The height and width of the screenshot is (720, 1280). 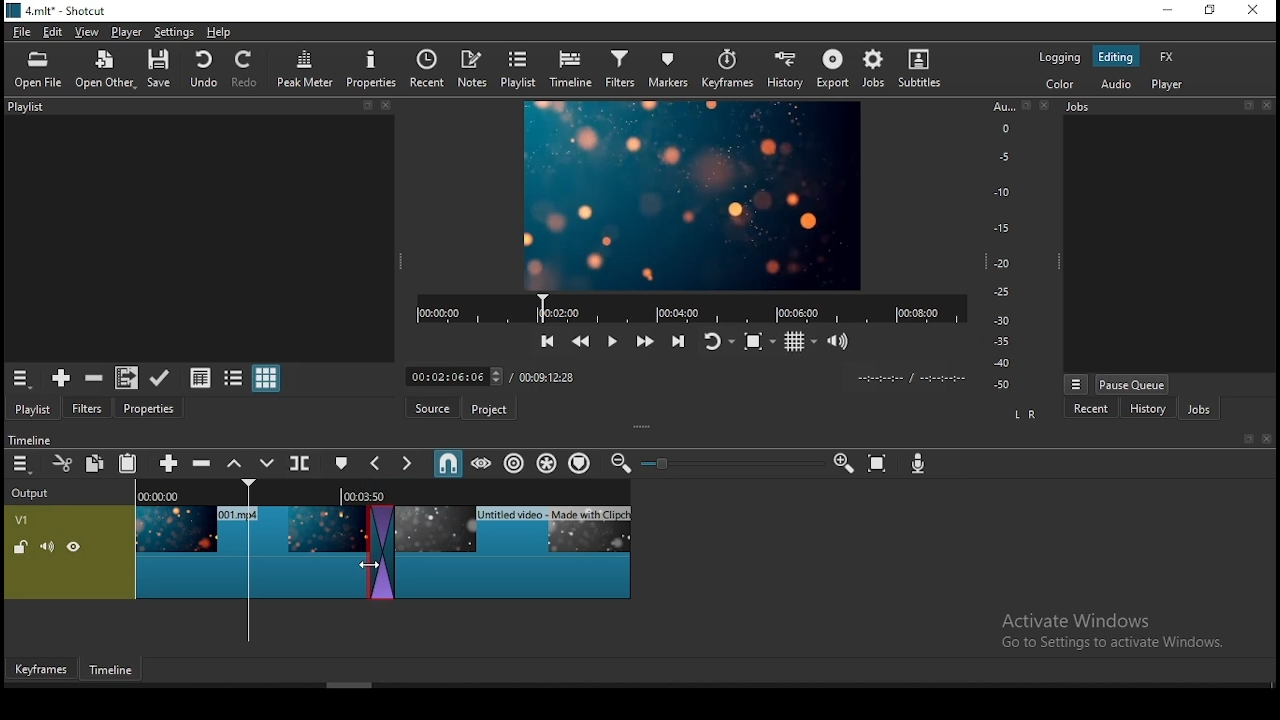 What do you see at coordinates (342, 462) in the screenshot?
I see `create/edit marker` at bounding box center [342, 462].